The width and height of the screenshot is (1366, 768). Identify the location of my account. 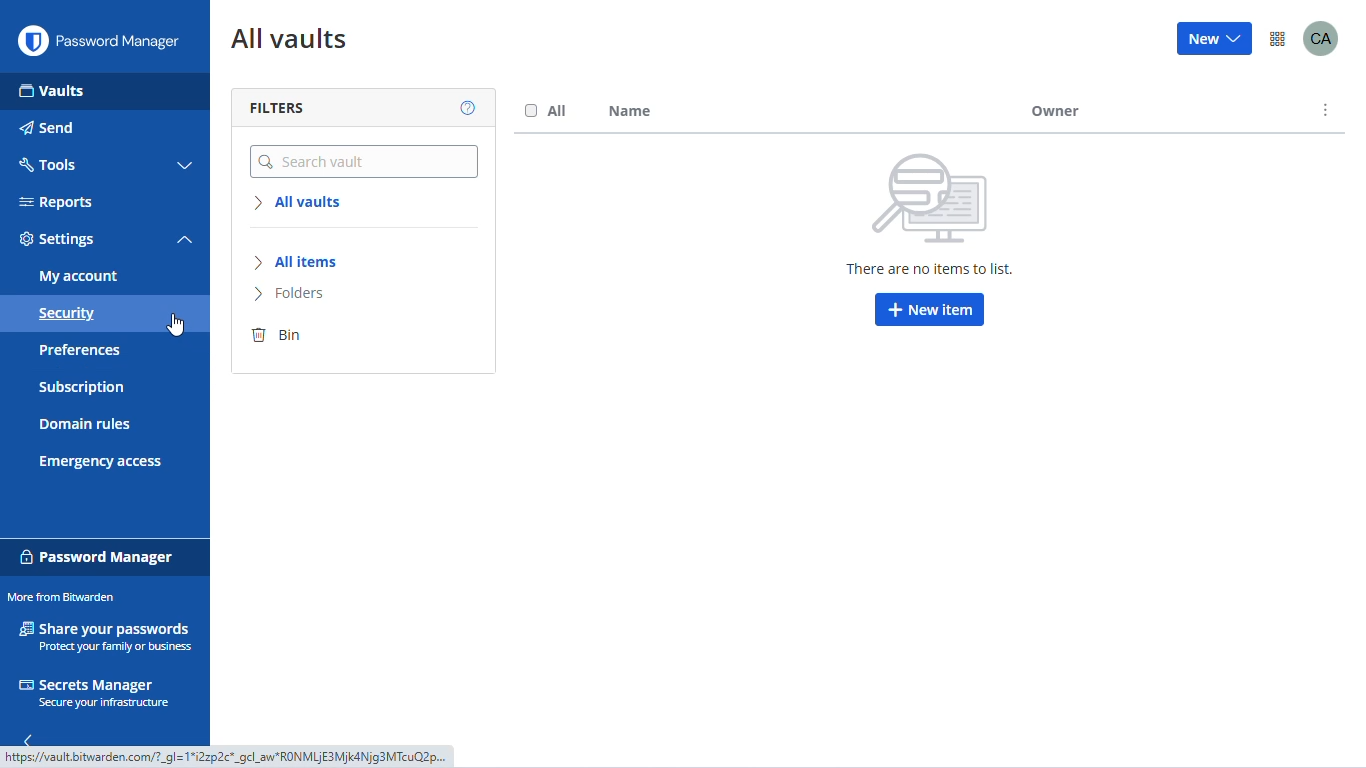
(79, 276).